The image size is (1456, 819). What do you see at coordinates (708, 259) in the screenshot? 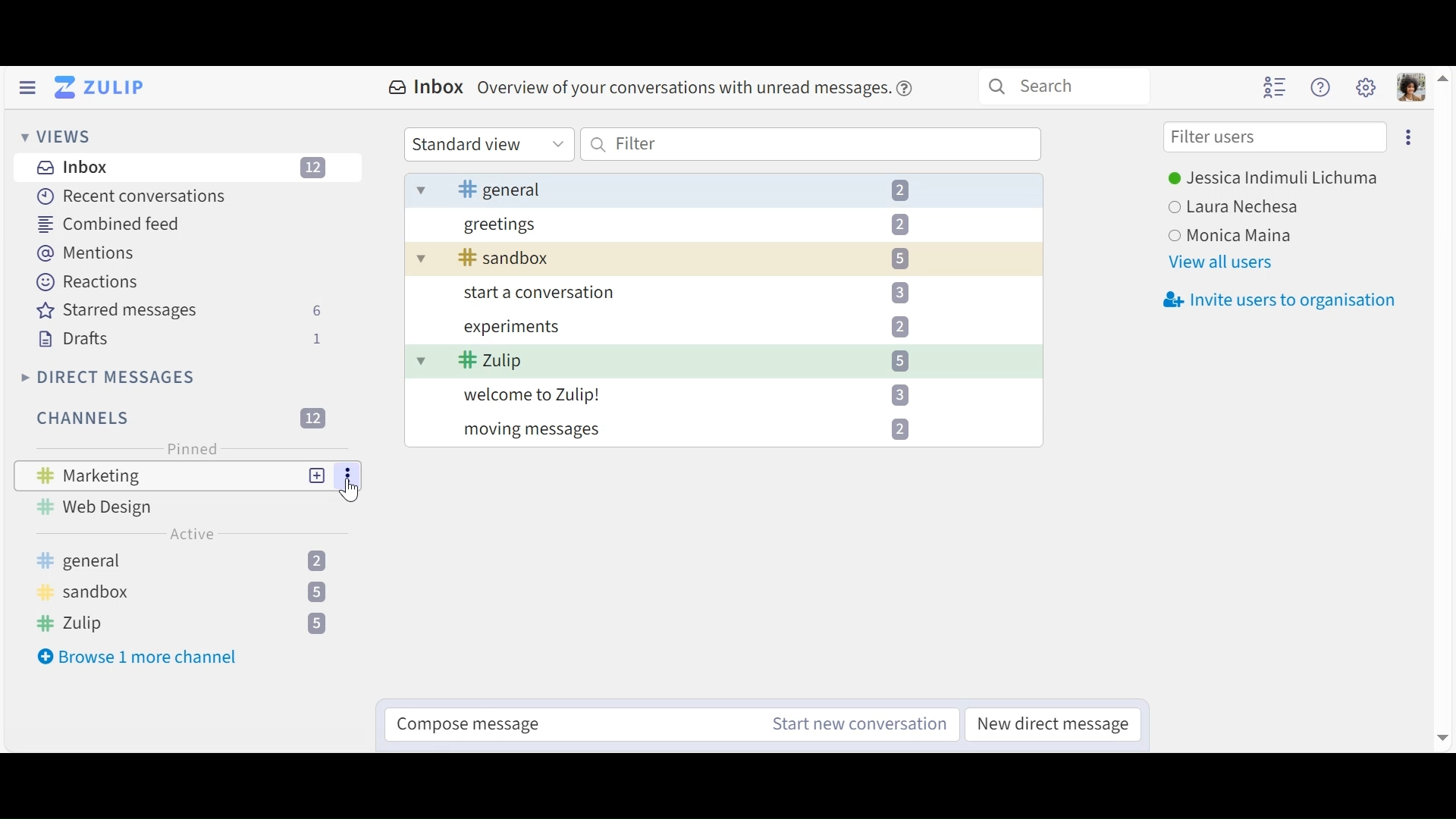
I see ` sandbox` at bounding box center [708, 259].